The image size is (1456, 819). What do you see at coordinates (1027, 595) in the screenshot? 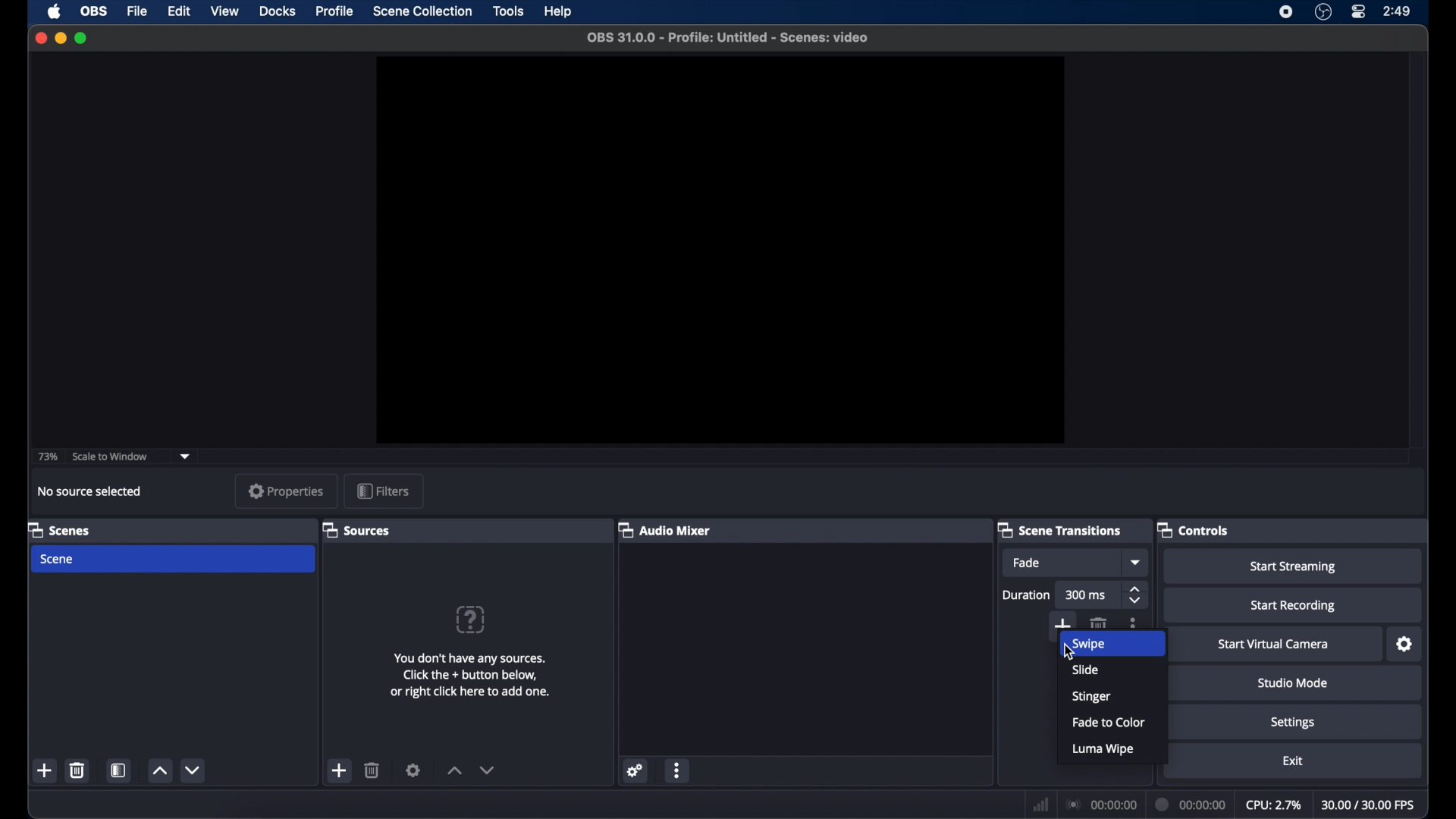
I see `duration` at bounding box center [1027, 595].